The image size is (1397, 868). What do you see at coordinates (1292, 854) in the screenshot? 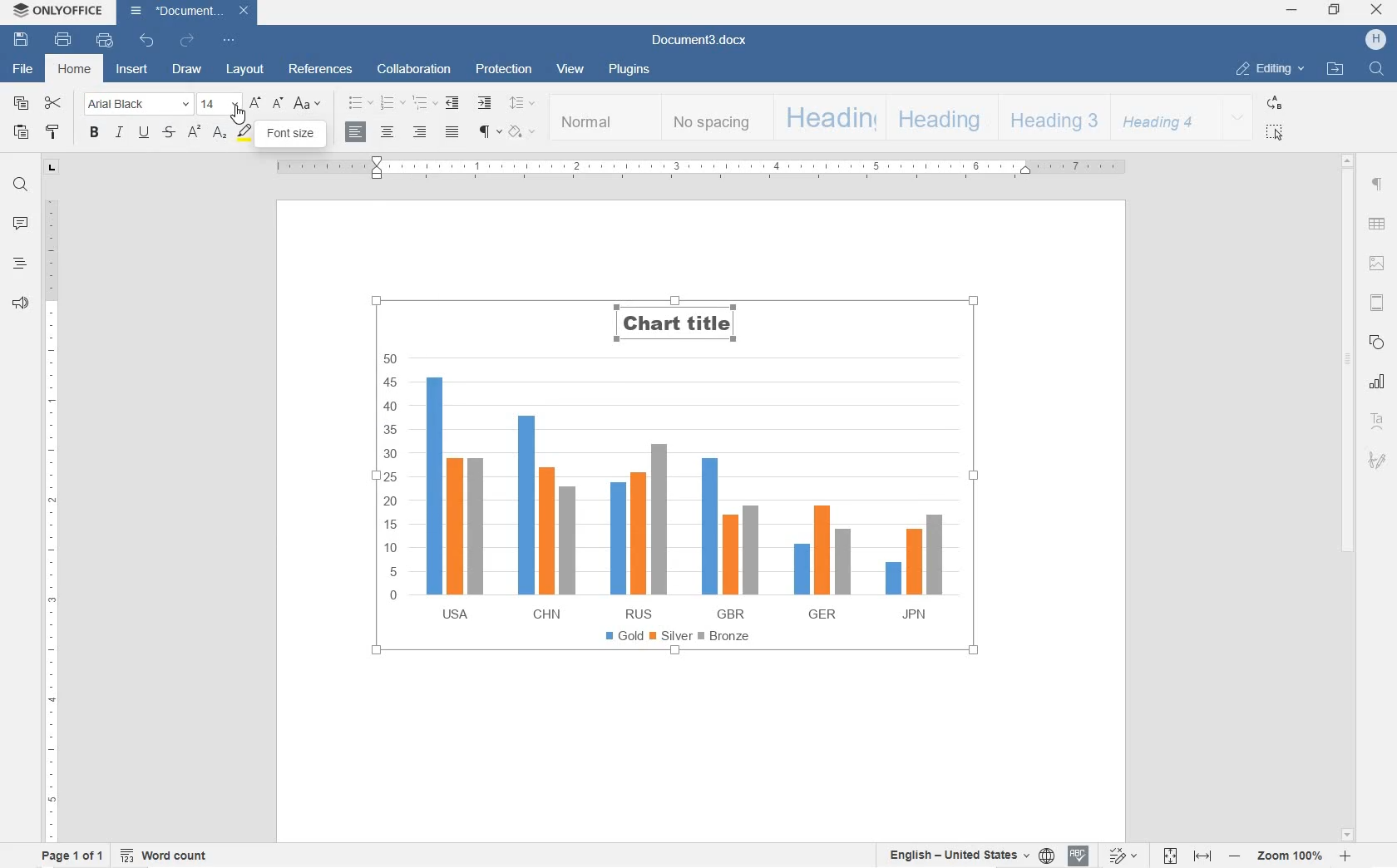
I see `ZOOM IN OR OUT` at bounding box center [1292, 854].